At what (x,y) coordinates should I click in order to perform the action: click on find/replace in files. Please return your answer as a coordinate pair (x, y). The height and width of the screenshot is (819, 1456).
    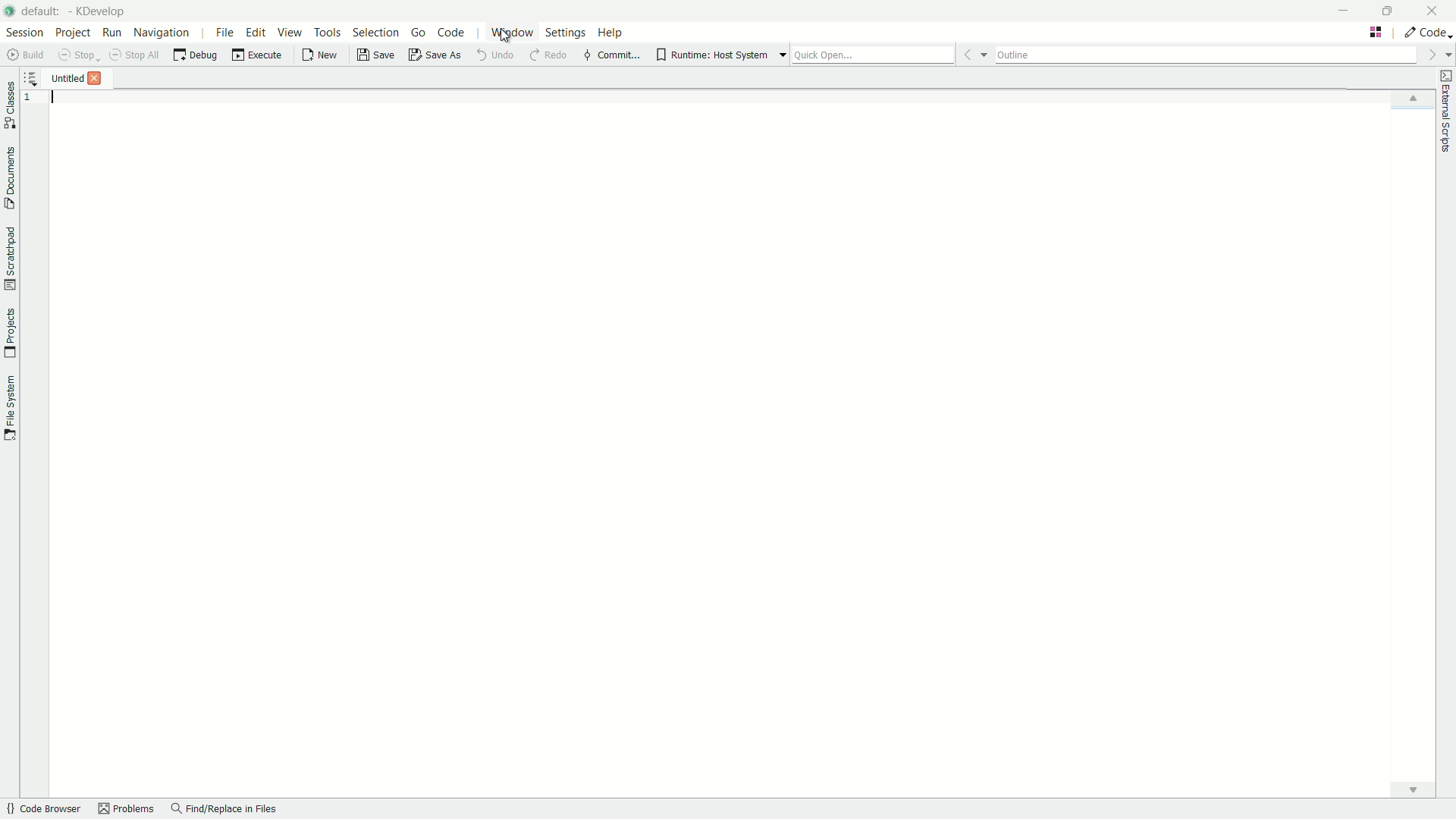
    Looking at the image, I should click on (221, 810).